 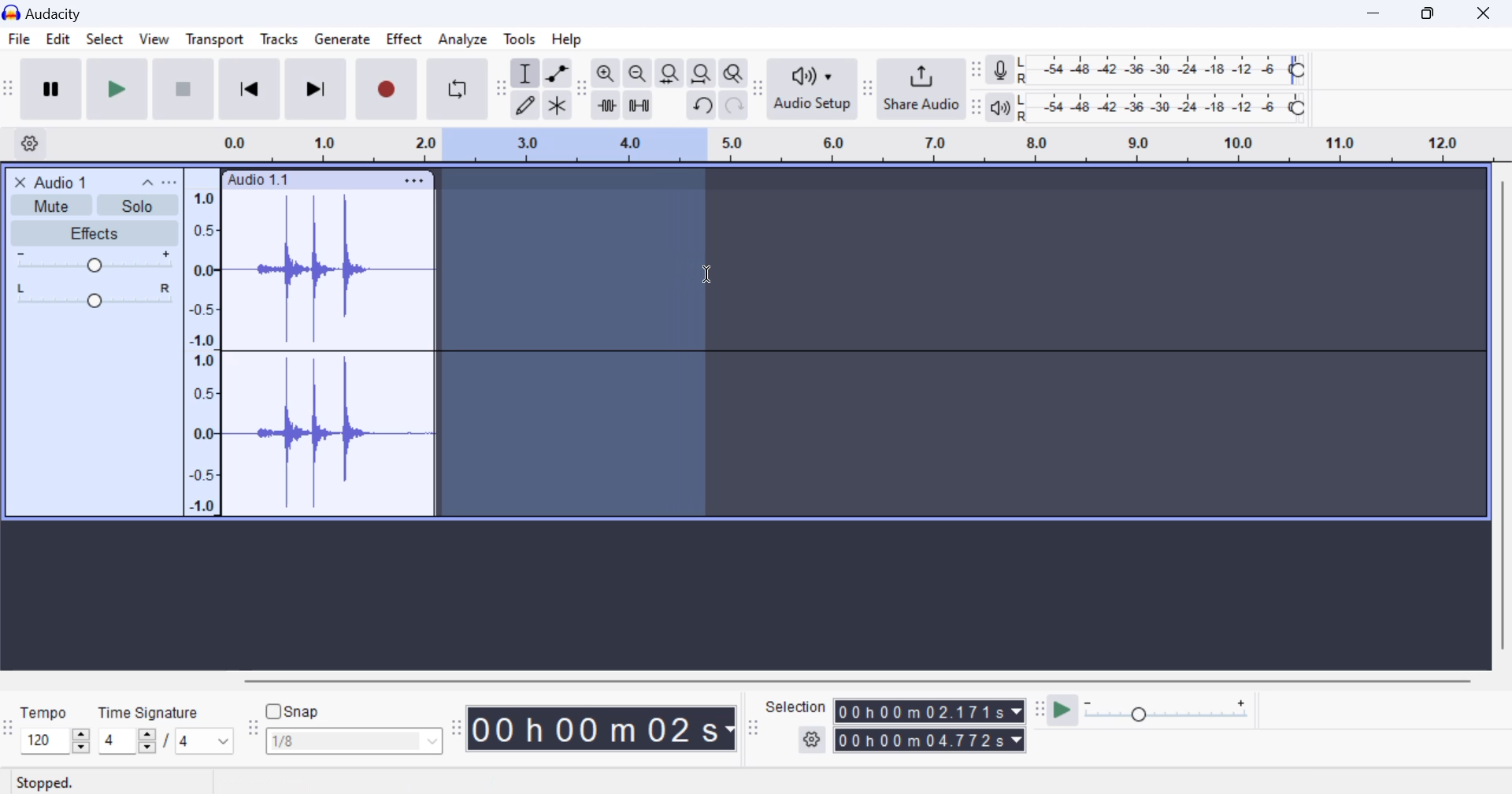 What do you see at coordinates (1376, 13) in the screenshot?
I see `Restore Down` at bounding box center [1376, 13].